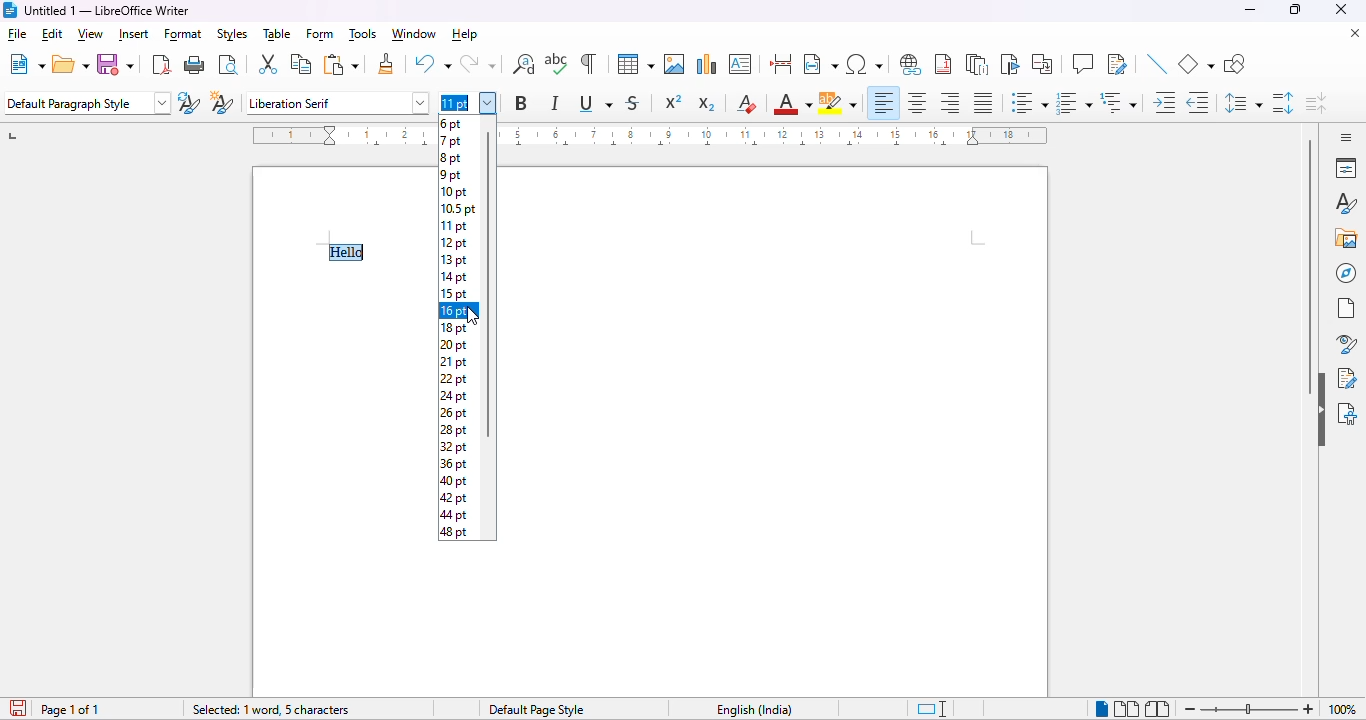  What do you see at coordinates (223, 102) in the screenshot?
I see `new style from selection` at bounding box center [223, 102].